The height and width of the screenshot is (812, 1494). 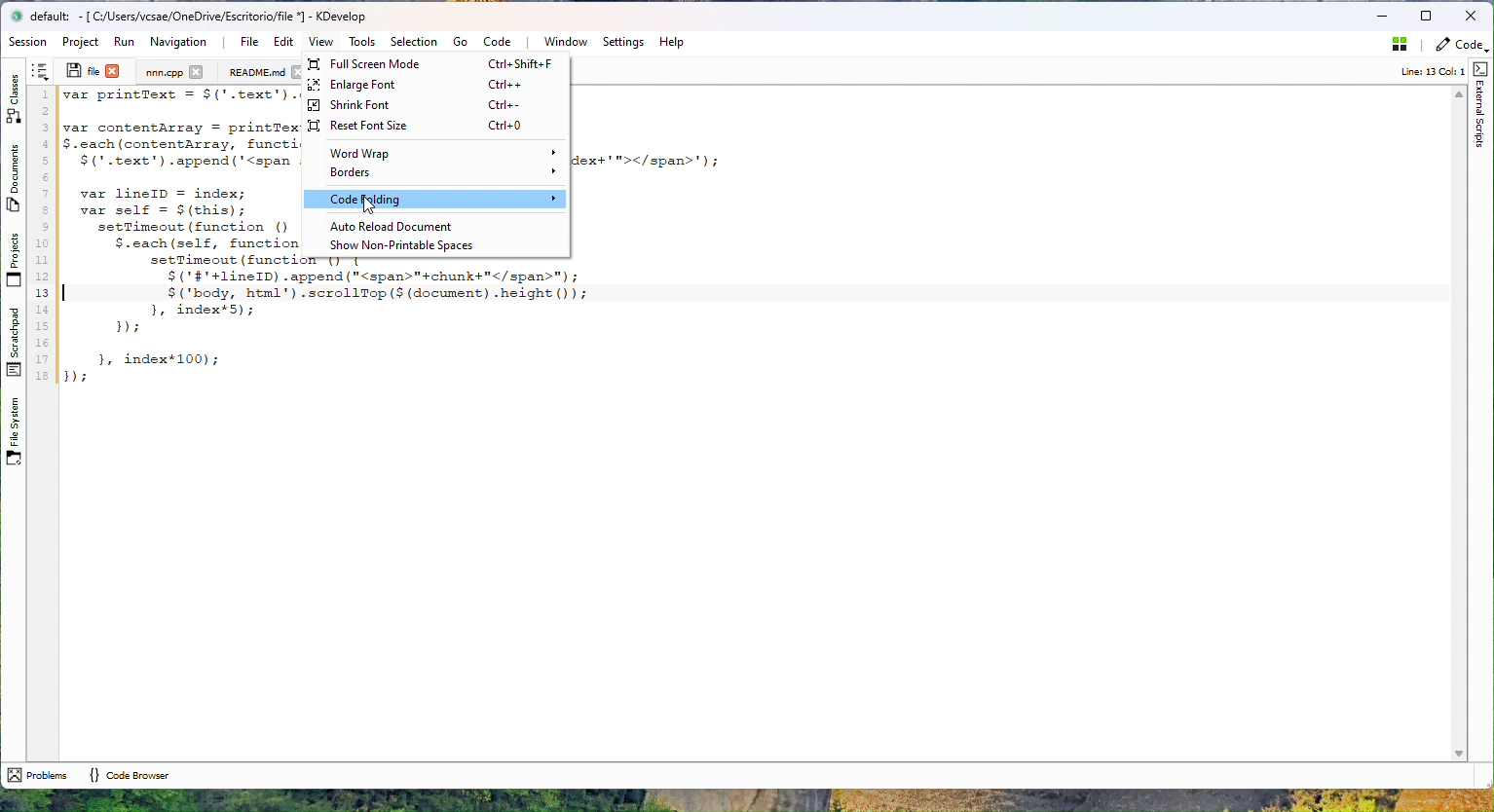 What do you see at coordinates (1424, 72) in the screenshot?
I see `info` at bounding box center [1424, 72].